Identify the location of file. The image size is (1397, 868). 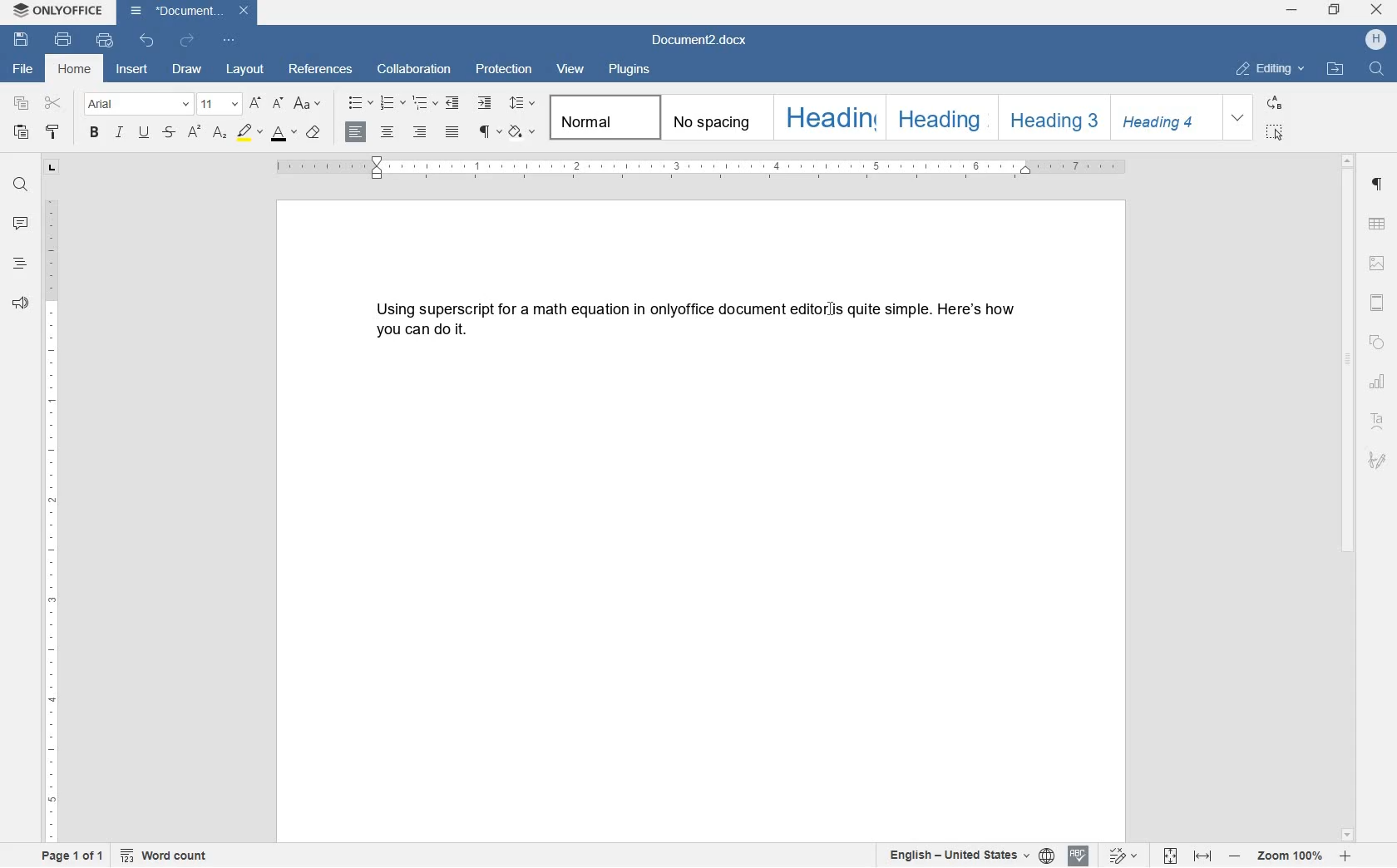
(21, 70).